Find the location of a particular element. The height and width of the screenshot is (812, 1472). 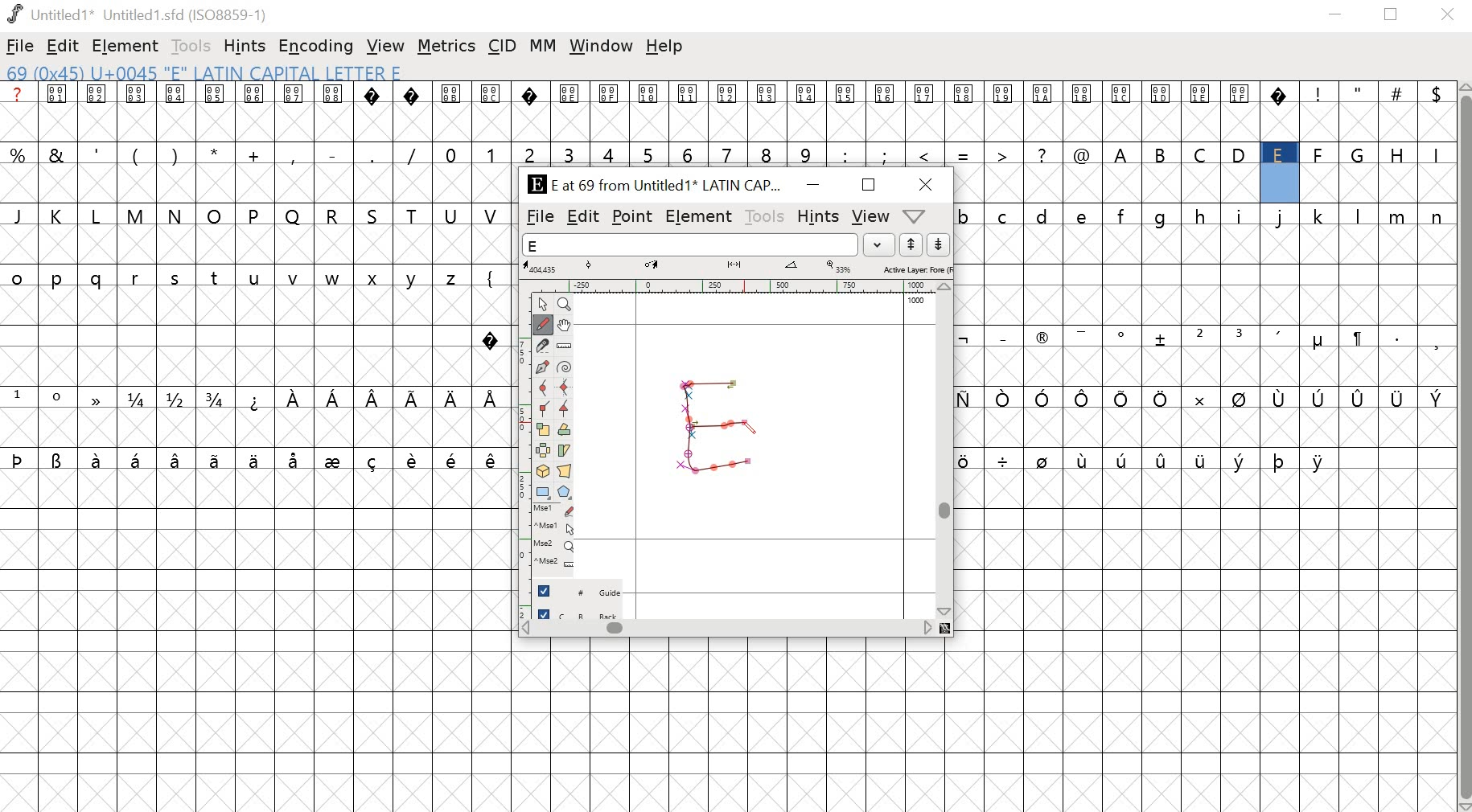

empty cells is located at coordinates (255, 428).